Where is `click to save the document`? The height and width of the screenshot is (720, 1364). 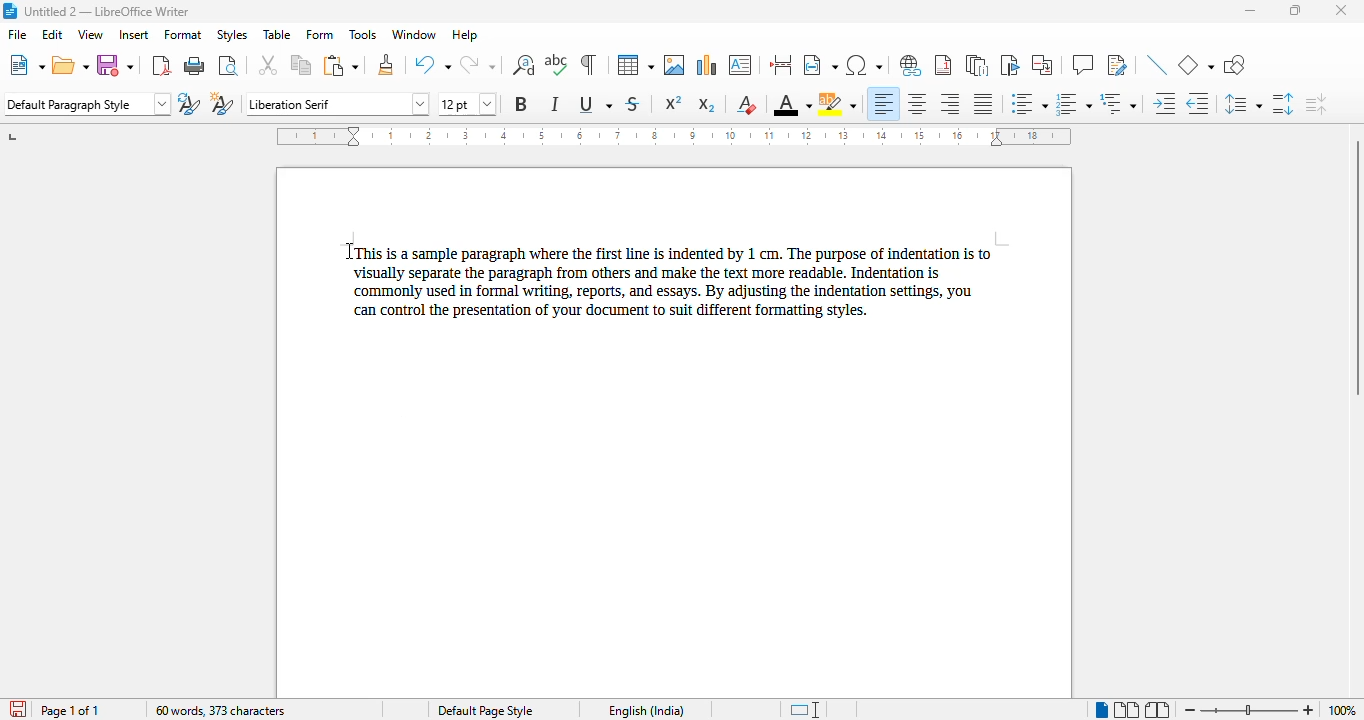 click to save the document is located at coordinates (17, 708).